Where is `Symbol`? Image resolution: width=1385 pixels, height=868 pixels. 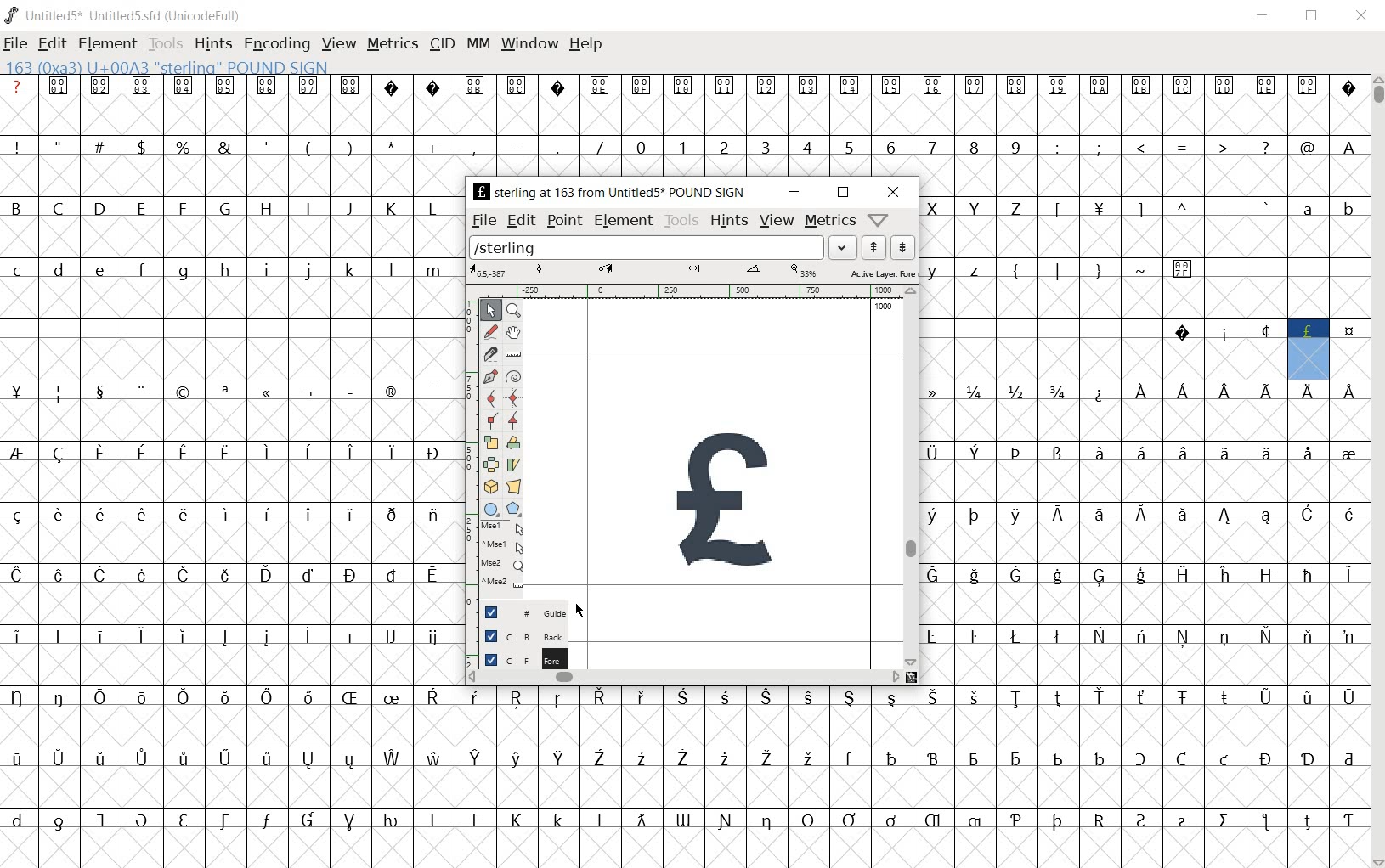 Symbol is located at coordinates (640, 758).